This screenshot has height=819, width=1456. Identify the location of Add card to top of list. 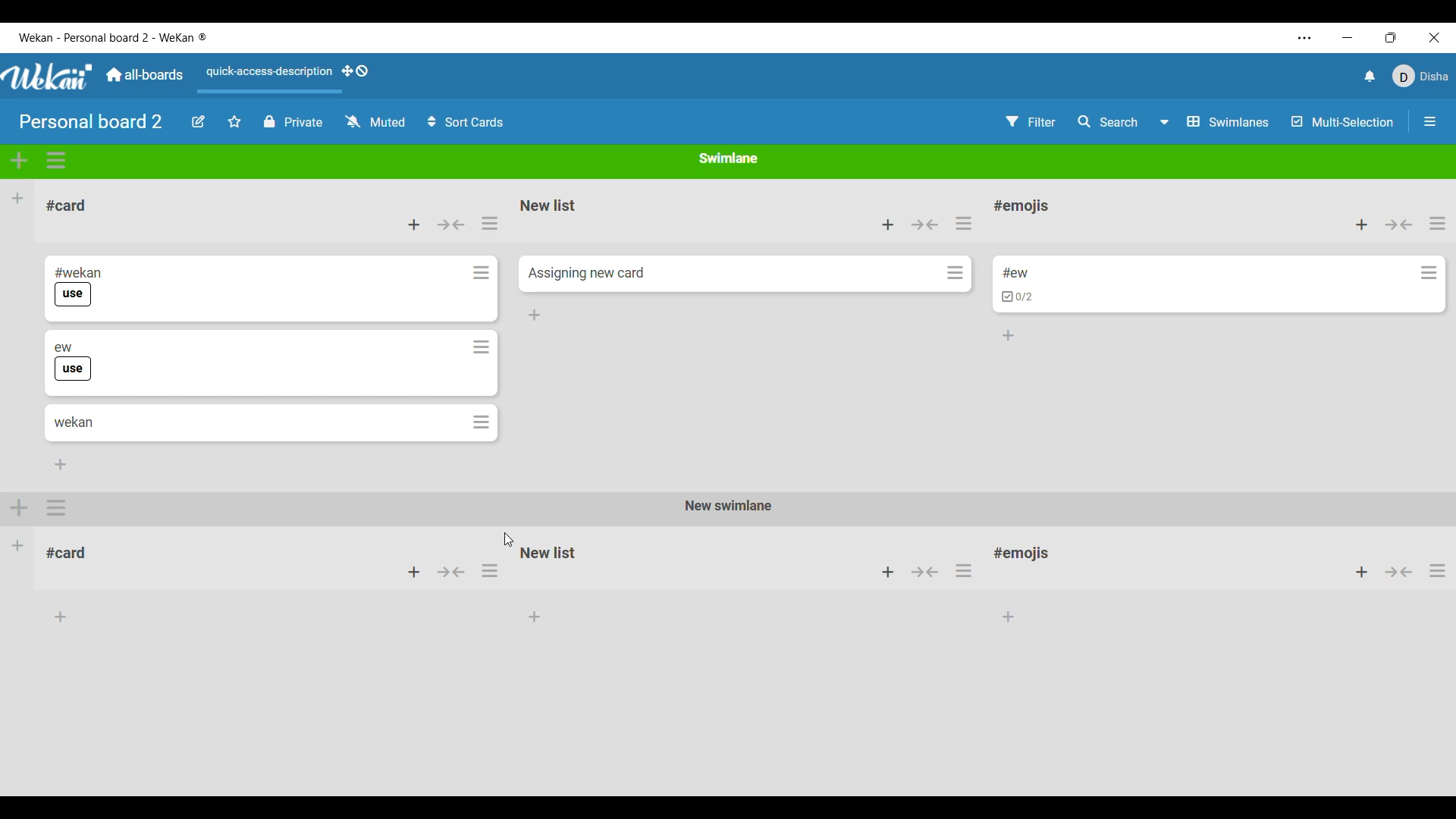
(1362, 225).